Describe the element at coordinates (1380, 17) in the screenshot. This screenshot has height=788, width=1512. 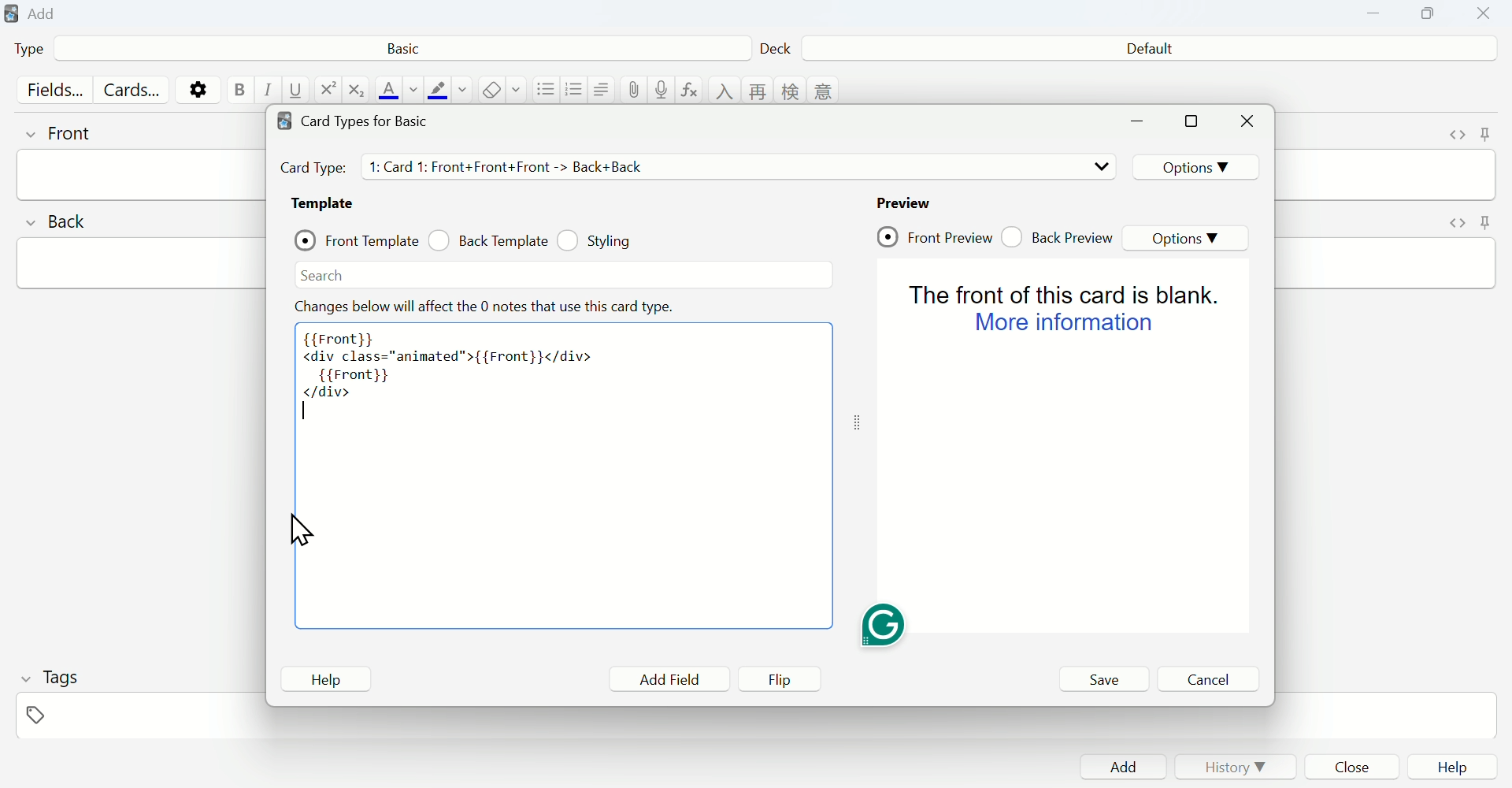
I see `Minimize` at that location.